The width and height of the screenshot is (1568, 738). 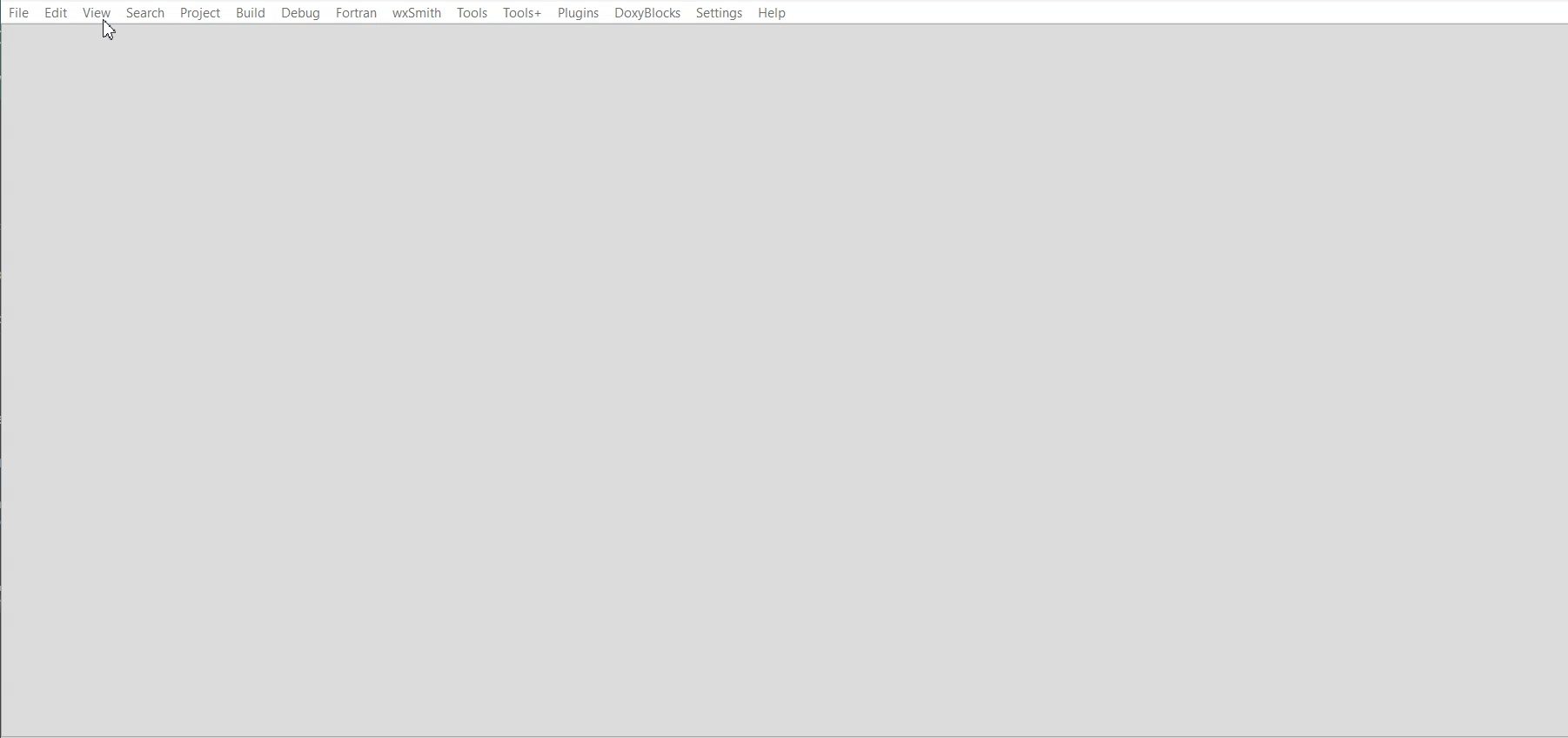 I want to click on Cursor, so click(x=108, y=30).